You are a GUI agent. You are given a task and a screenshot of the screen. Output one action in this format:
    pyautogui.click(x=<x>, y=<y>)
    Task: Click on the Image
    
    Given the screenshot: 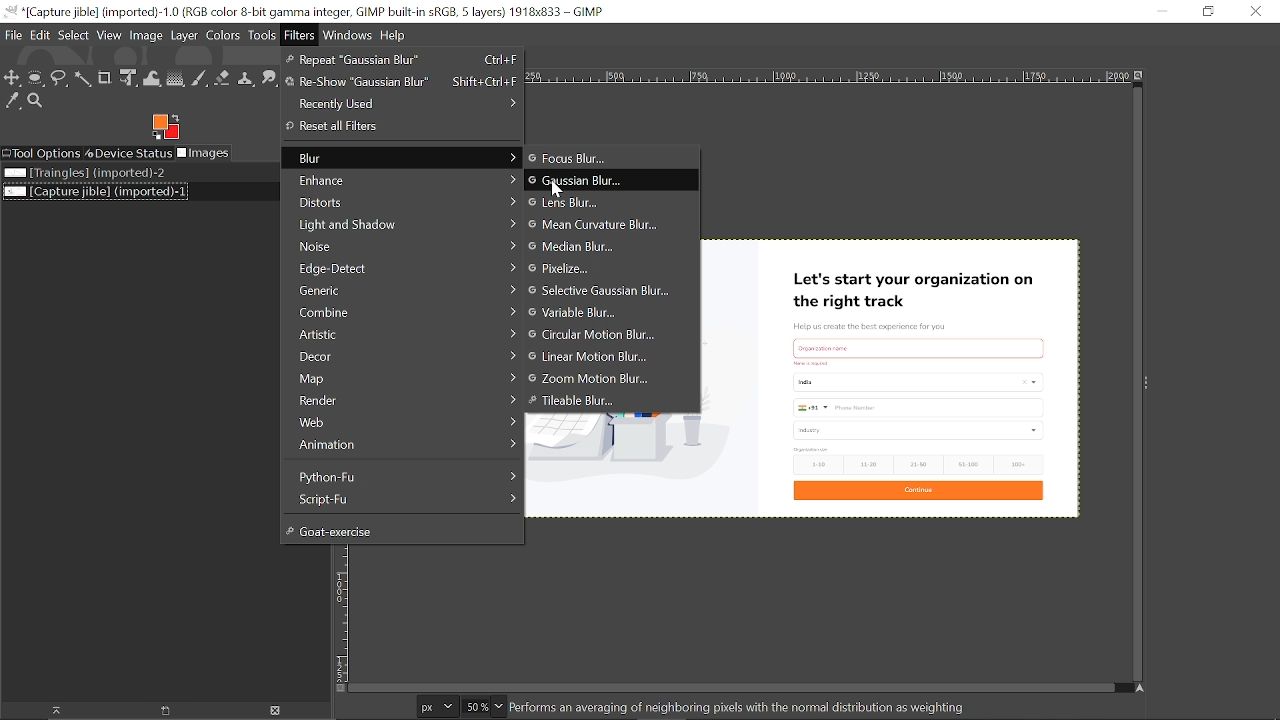 What is the action you would take?
    pyautogui.click(x=146, y=37)
    